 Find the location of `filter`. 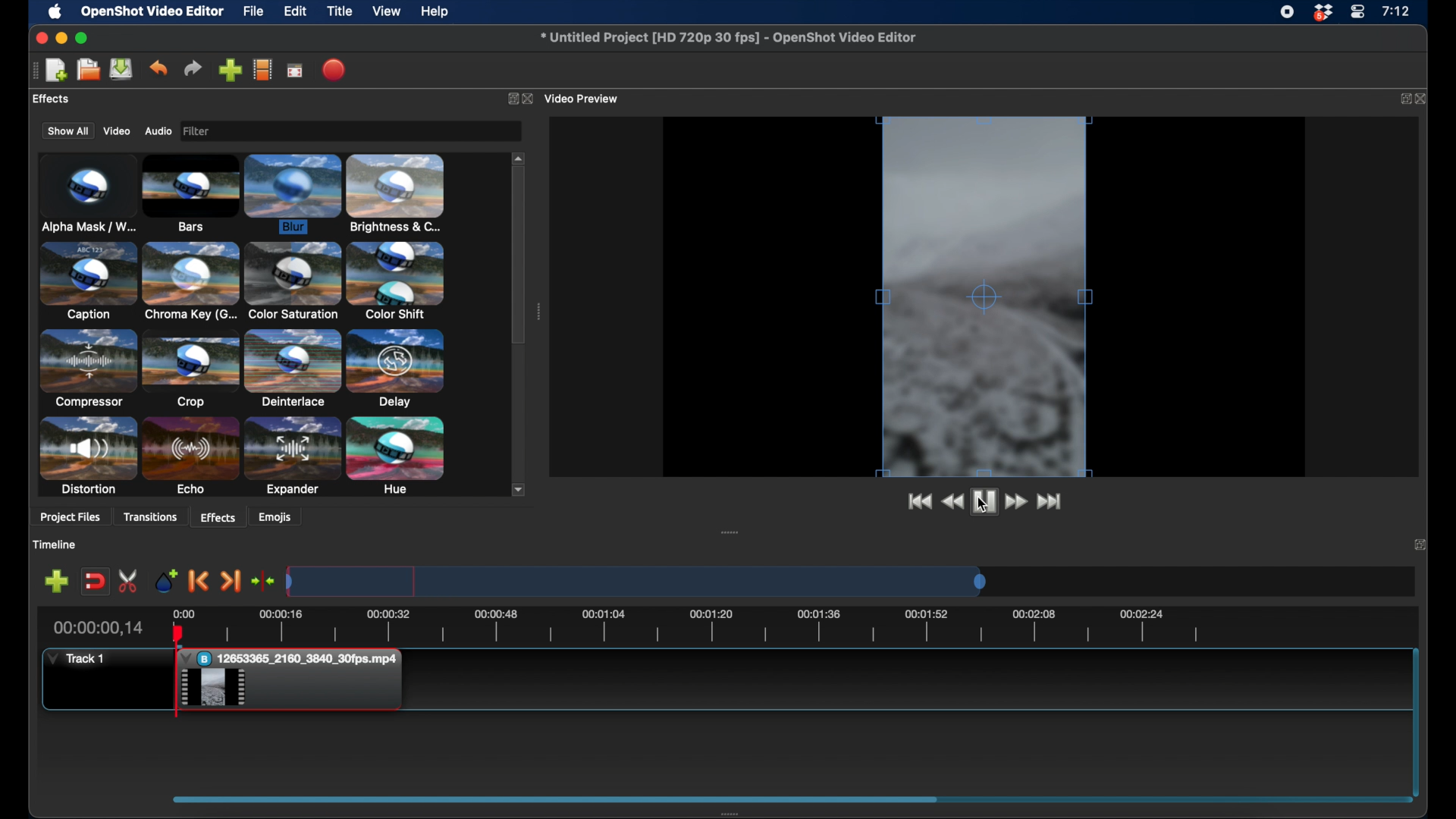

filter is located at coordinates (243, 131).